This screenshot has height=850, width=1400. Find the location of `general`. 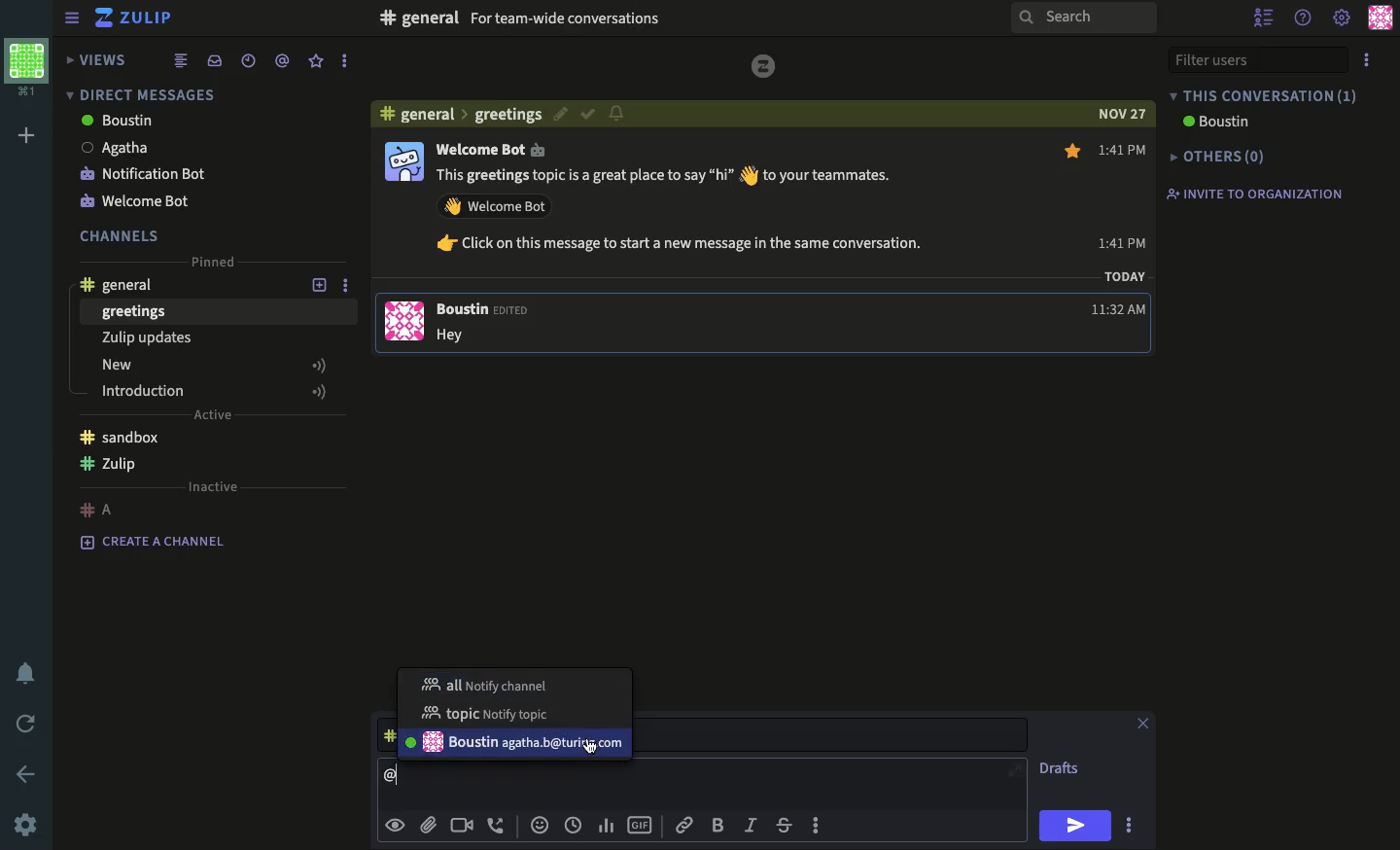

general is located at coordinates (119, 286).